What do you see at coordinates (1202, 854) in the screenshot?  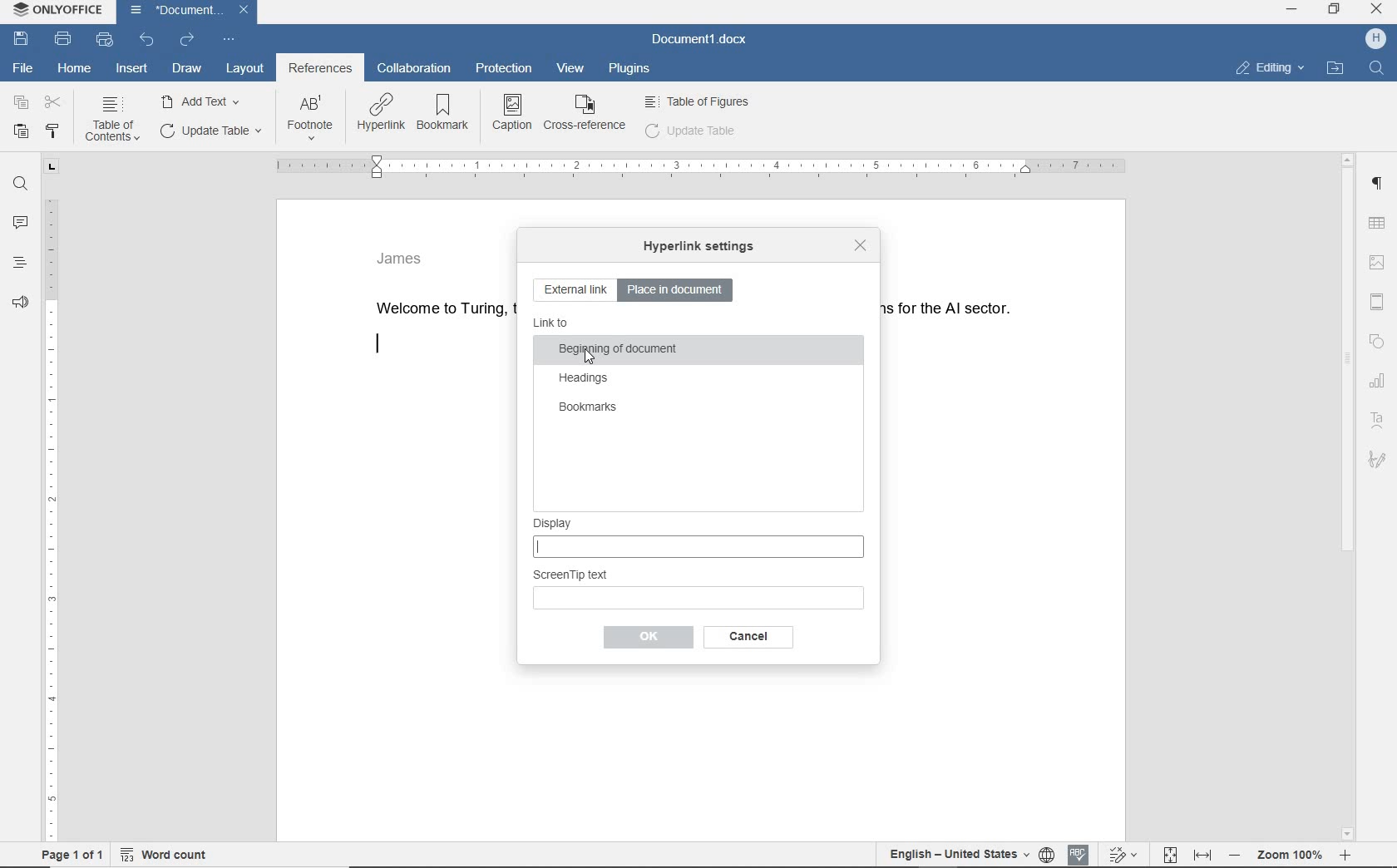 I see `fit to width` at bounding box center [1202, 854].